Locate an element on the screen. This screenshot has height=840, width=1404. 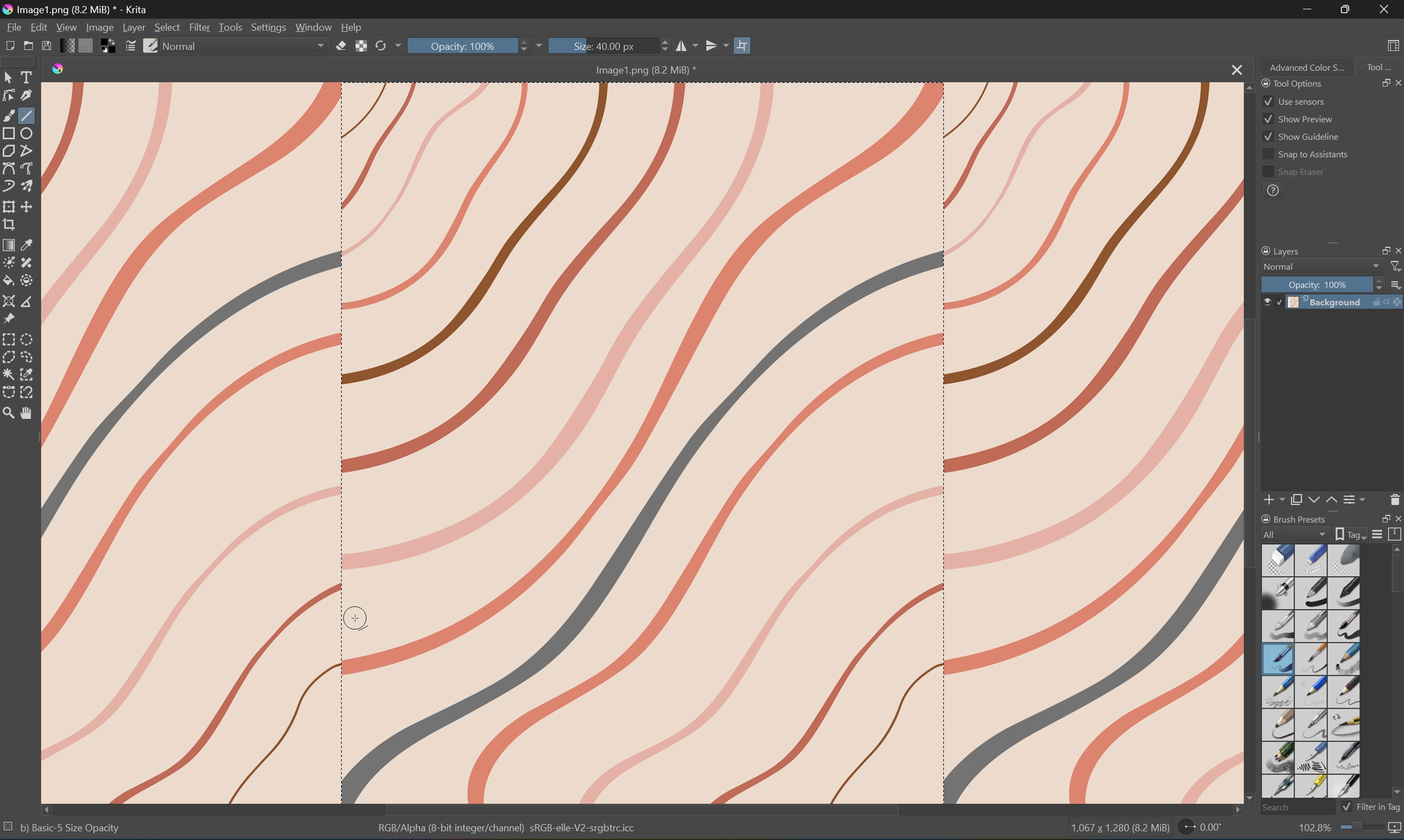
Duplicate layer or mask  is located at coordinates (1296, 499).